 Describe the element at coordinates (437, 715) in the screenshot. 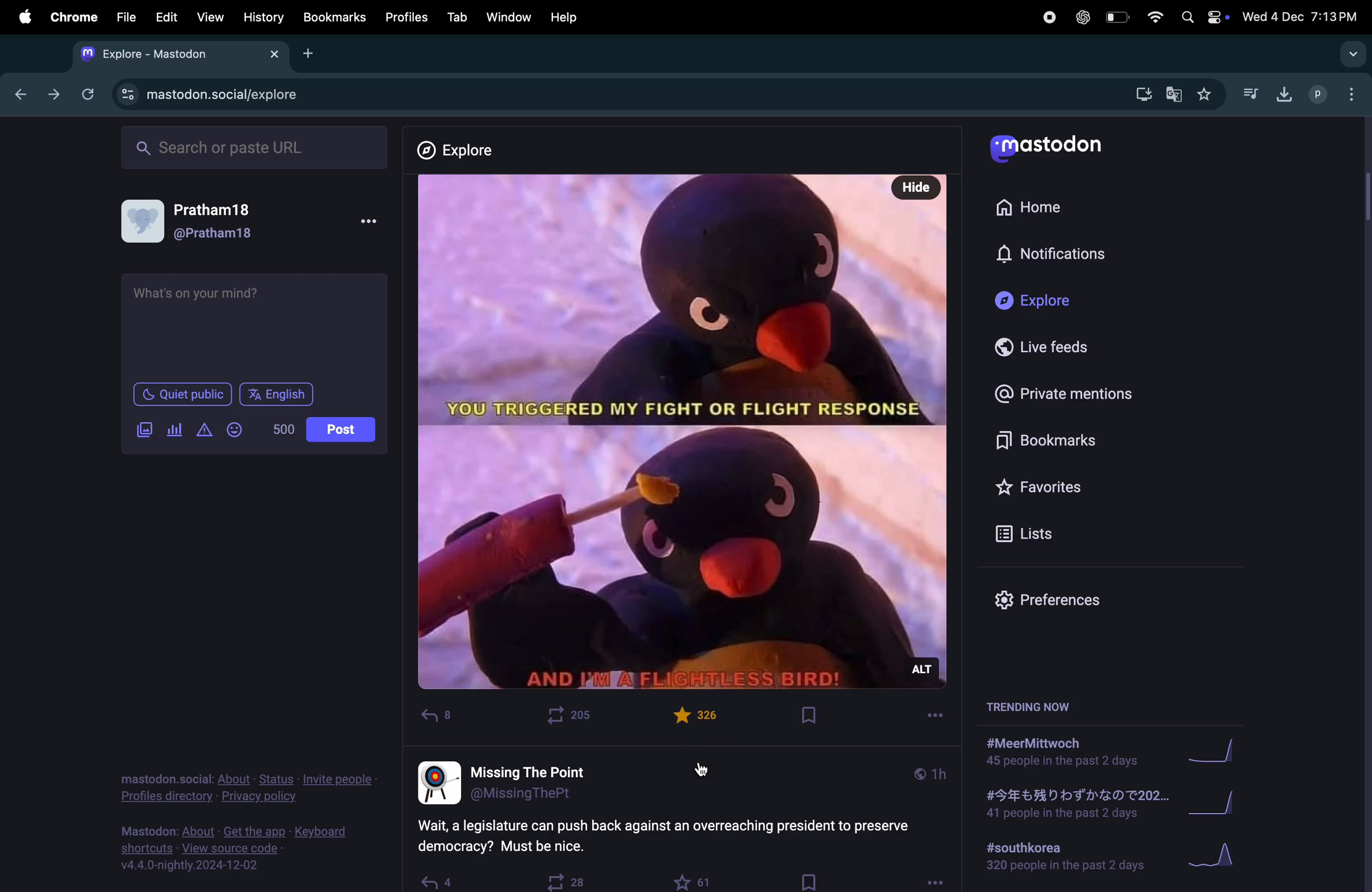

I see `reply` at that location.